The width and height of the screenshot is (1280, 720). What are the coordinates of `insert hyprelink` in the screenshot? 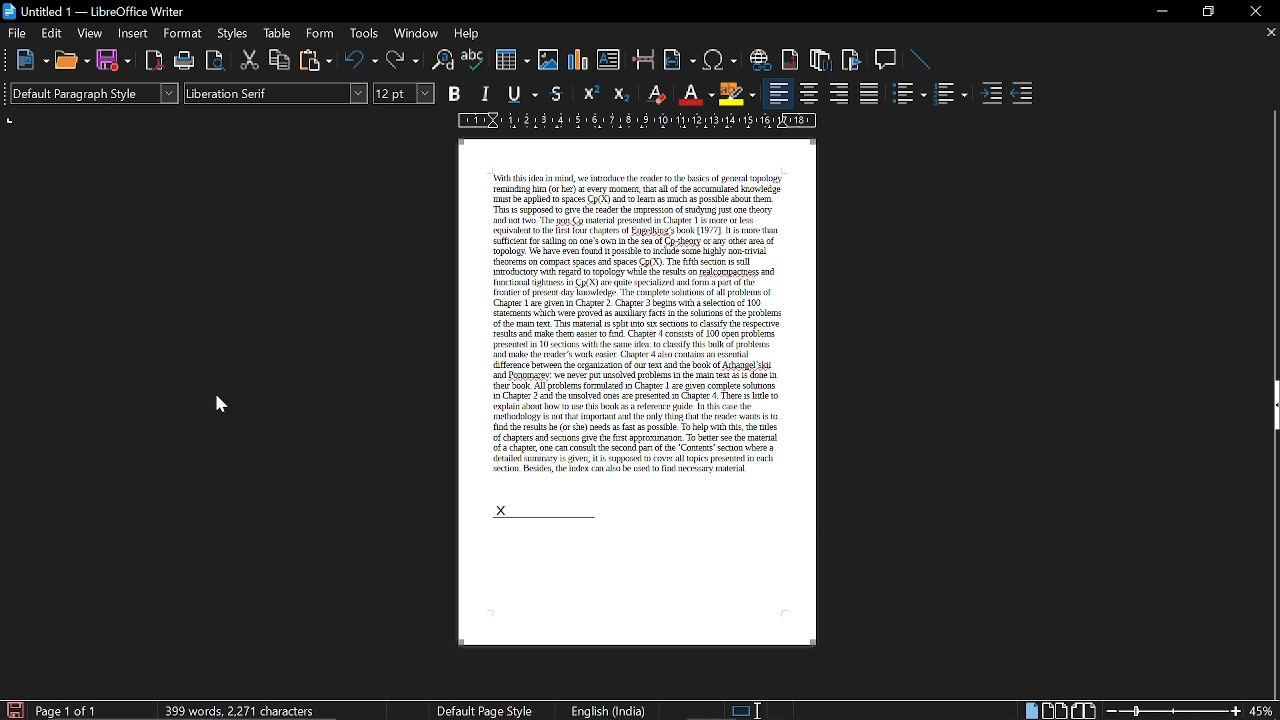 It's located at (760, 59).